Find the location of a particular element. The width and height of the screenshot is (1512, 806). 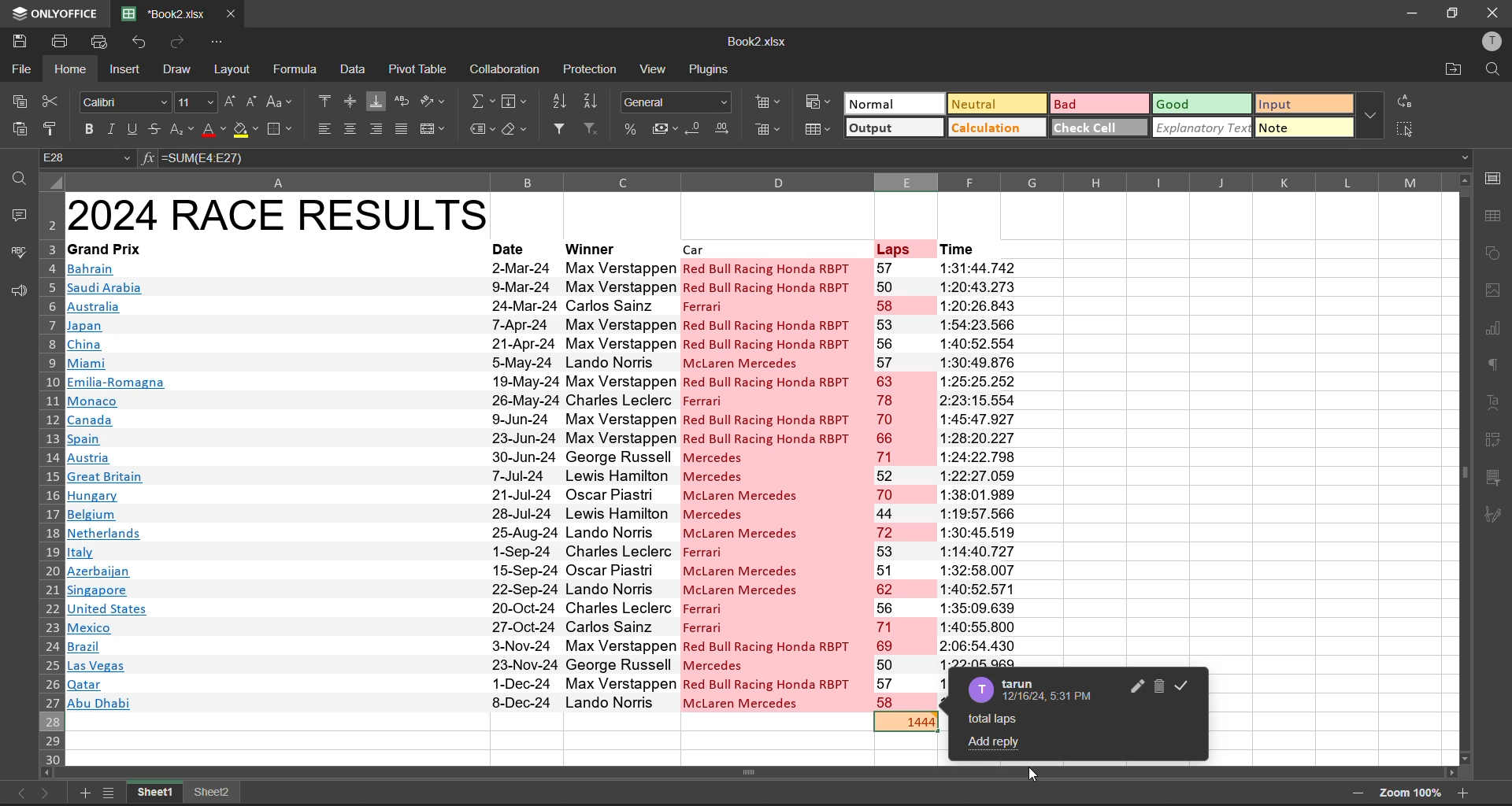

note is located at coordinates (1299, 128).